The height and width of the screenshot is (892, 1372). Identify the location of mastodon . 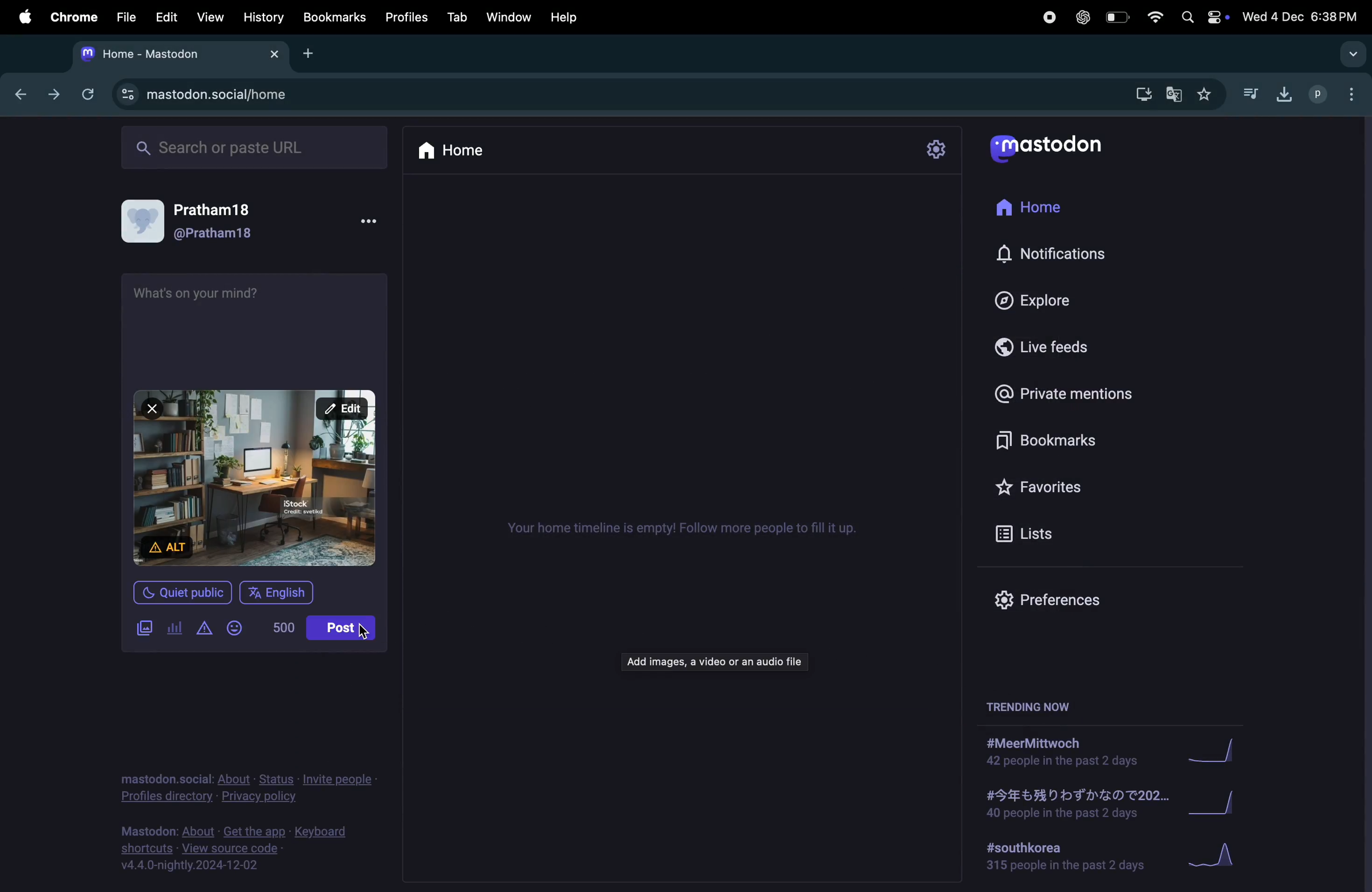
(1056, 146).